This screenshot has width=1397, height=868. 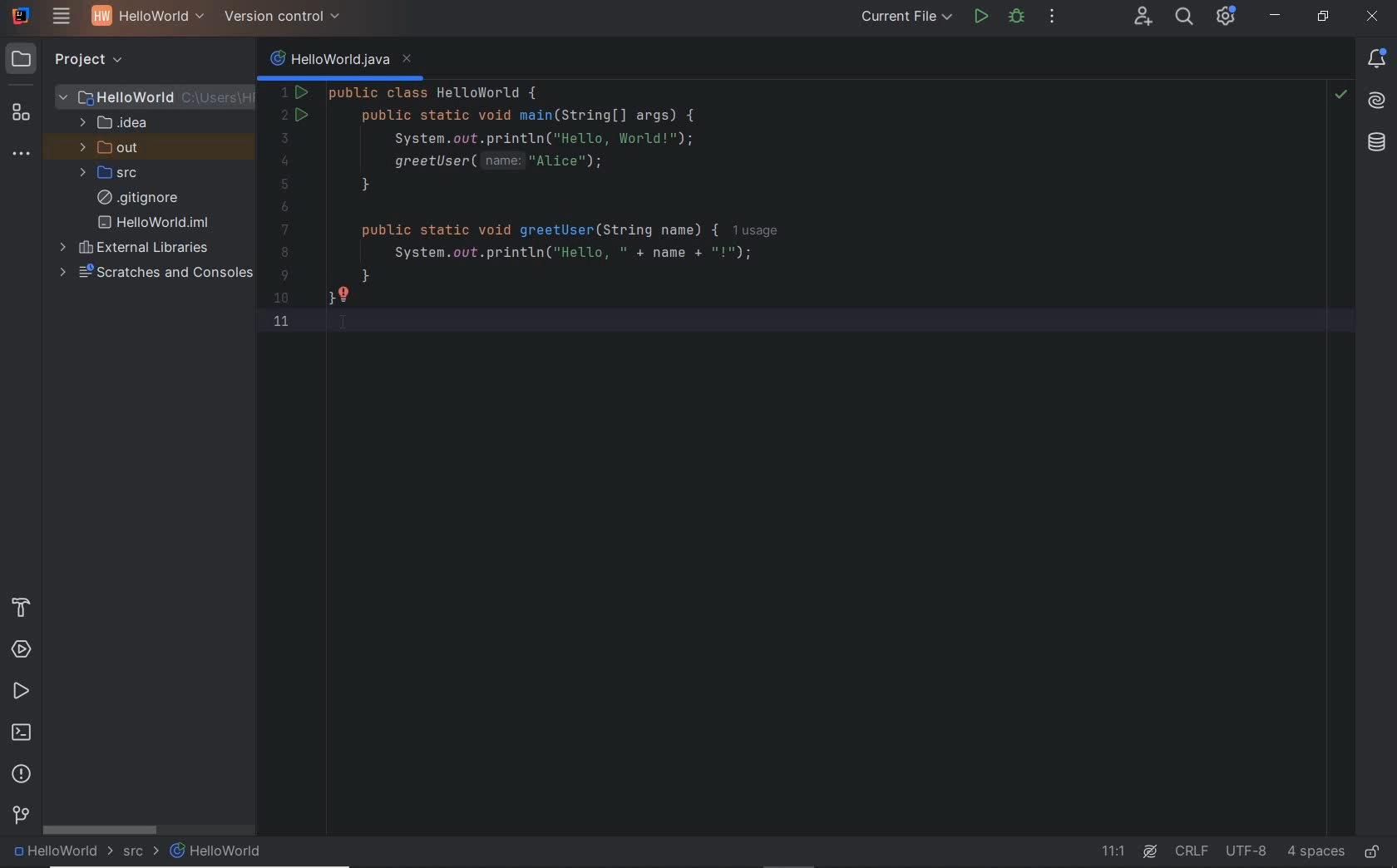 What do you see at coordinates (1149, 852) in the screenshot?
I see `AI Assistant` at bounding box center [1149, 852].